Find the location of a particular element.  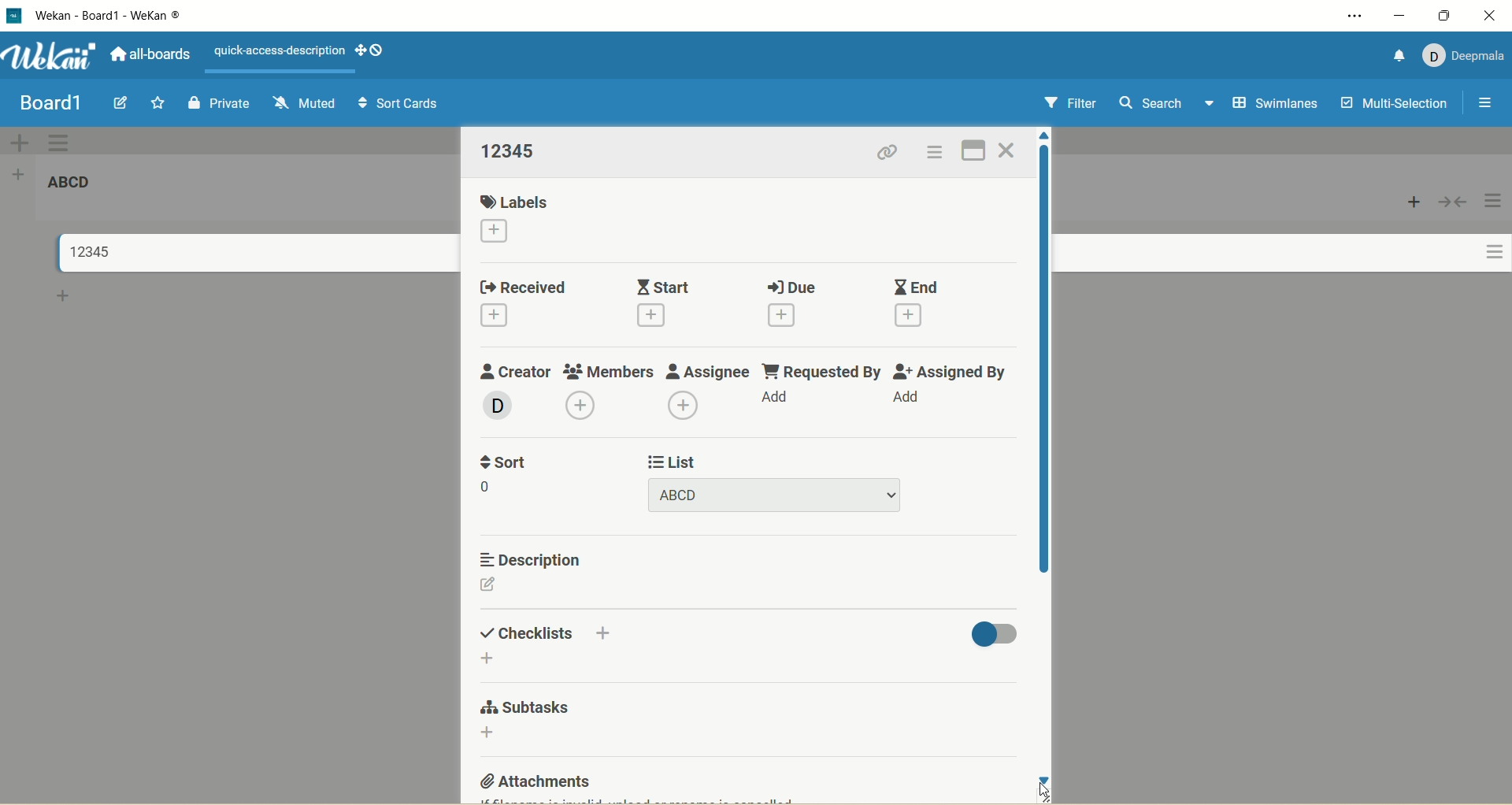

member is located at coordinates (495, 404).